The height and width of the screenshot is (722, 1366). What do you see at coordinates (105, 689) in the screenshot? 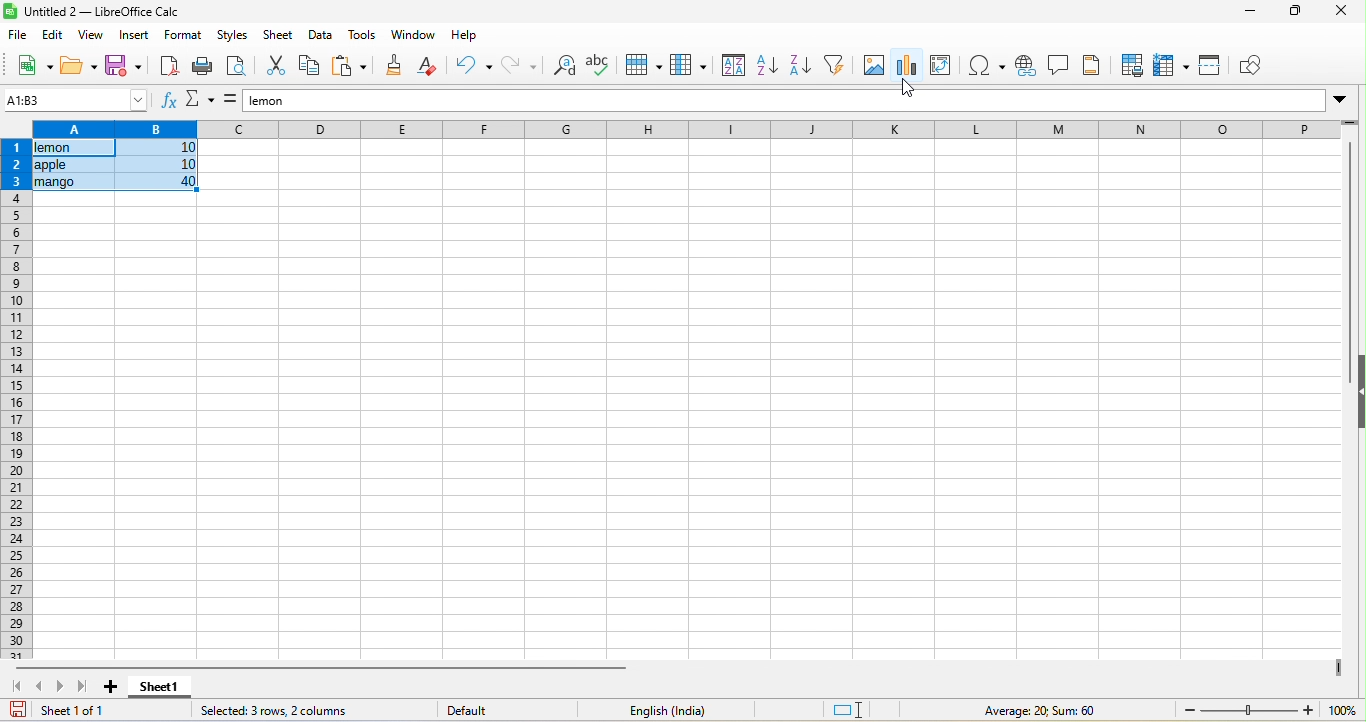
I see `add sheet` at bounding box center [105, 689].